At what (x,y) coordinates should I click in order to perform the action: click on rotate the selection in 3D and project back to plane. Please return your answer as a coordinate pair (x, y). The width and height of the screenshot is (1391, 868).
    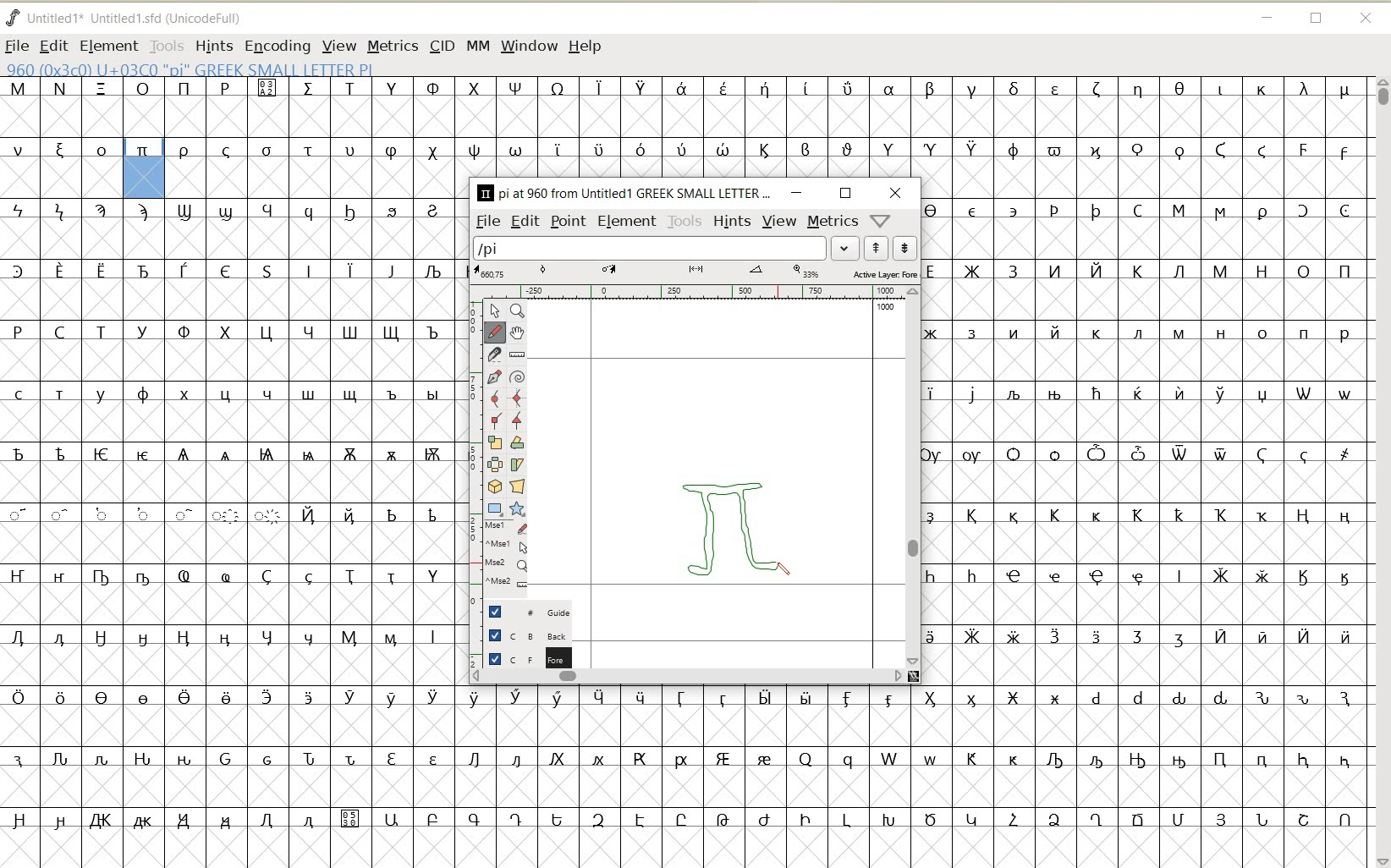
    Looking at the image, I should click on (494, 486).